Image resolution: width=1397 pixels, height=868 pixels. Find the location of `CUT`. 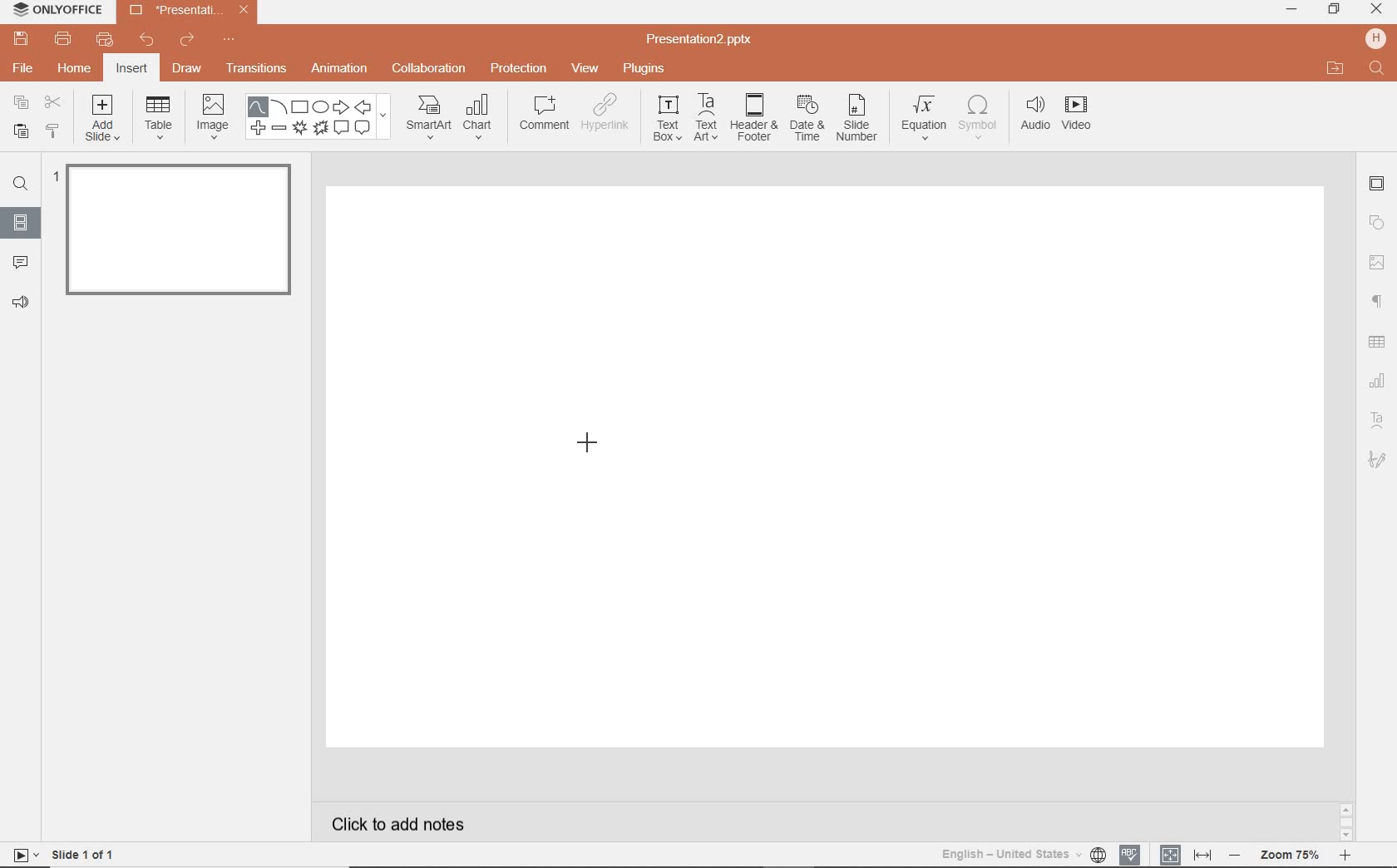

CUT is located at coordinates (52, 102).